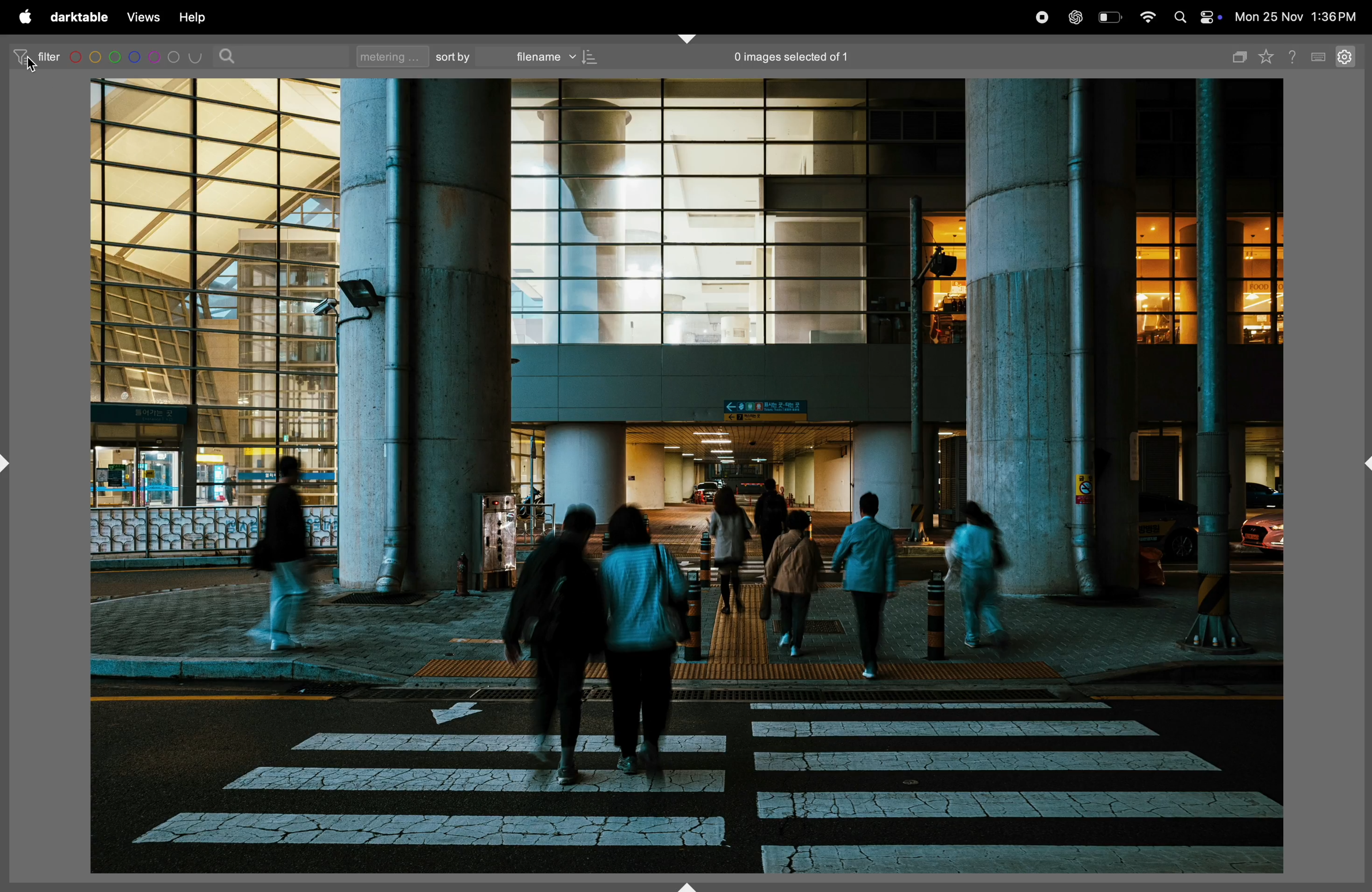  What do you see at coordinates (36, 56) in the screenshot?
I see `filter` at bounding box center [36, 56].